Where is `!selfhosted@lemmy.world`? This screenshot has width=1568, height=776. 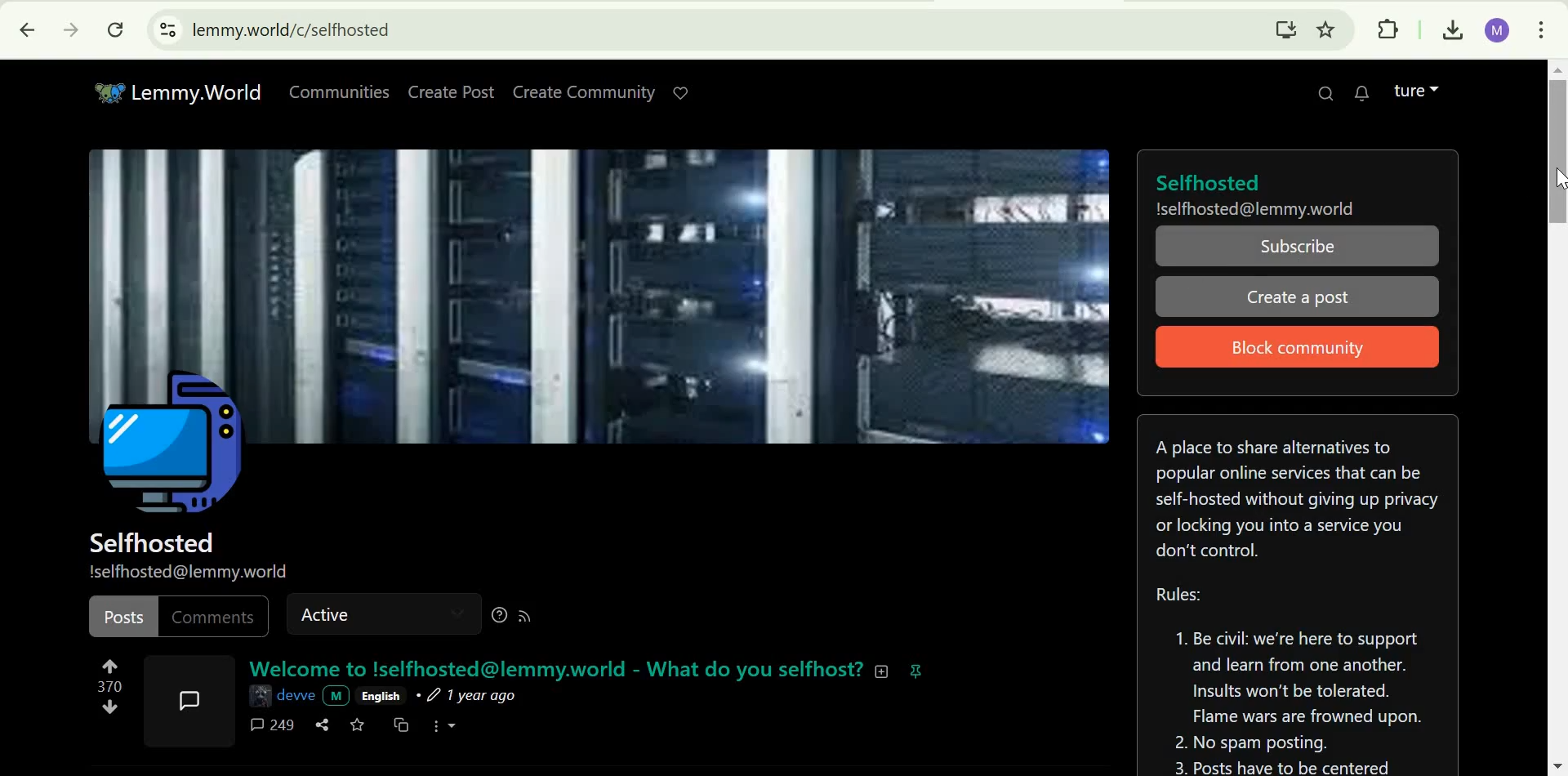 !selfhosted@lemmy.world is located at coordinates (1257, 208).